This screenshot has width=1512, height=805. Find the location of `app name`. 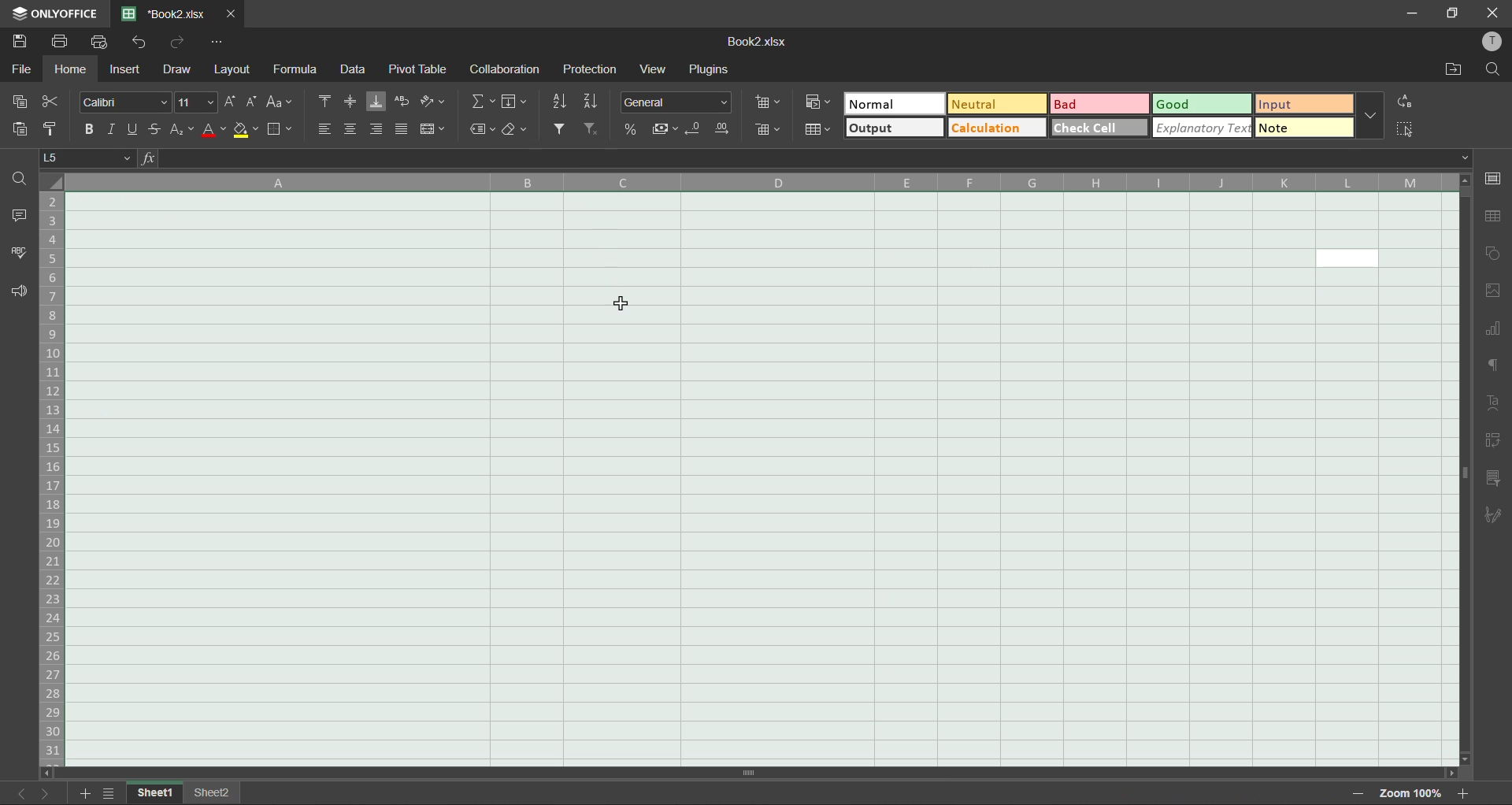

app name is located at coordinates (55, 11).